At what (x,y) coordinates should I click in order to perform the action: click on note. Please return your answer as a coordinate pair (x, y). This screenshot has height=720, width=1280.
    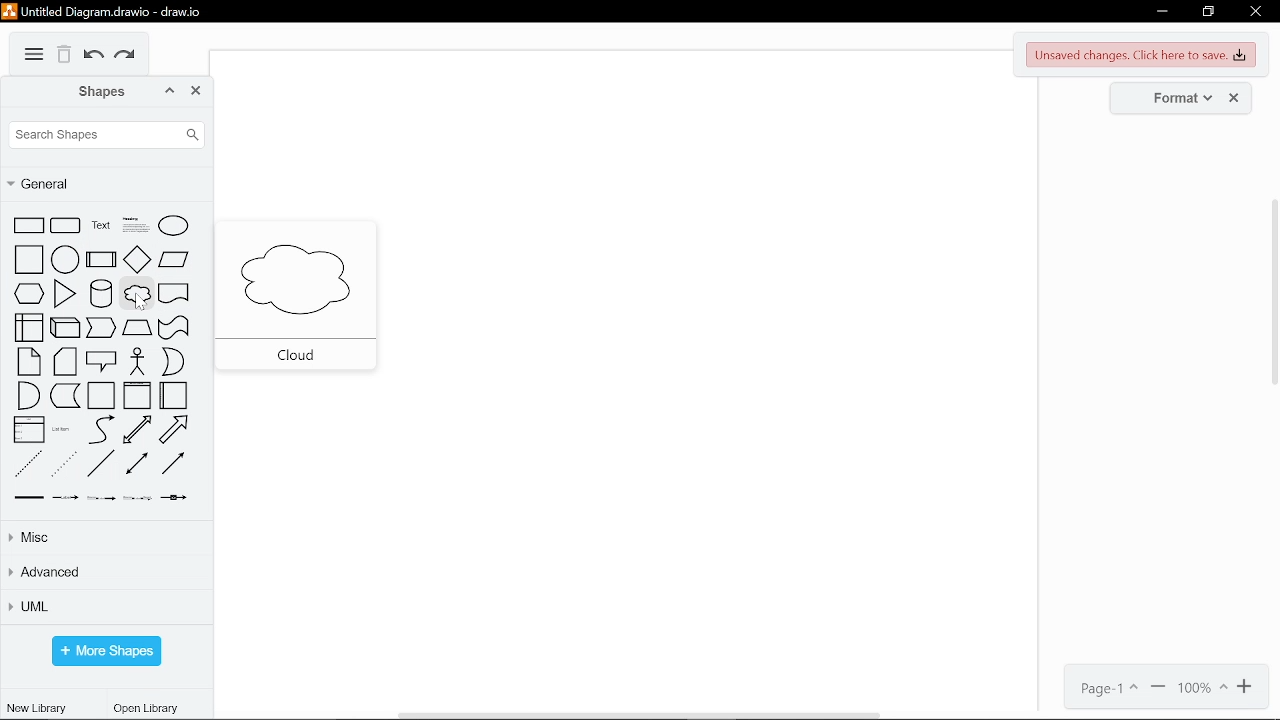
    Looking at the image, I should click on (28, 362).